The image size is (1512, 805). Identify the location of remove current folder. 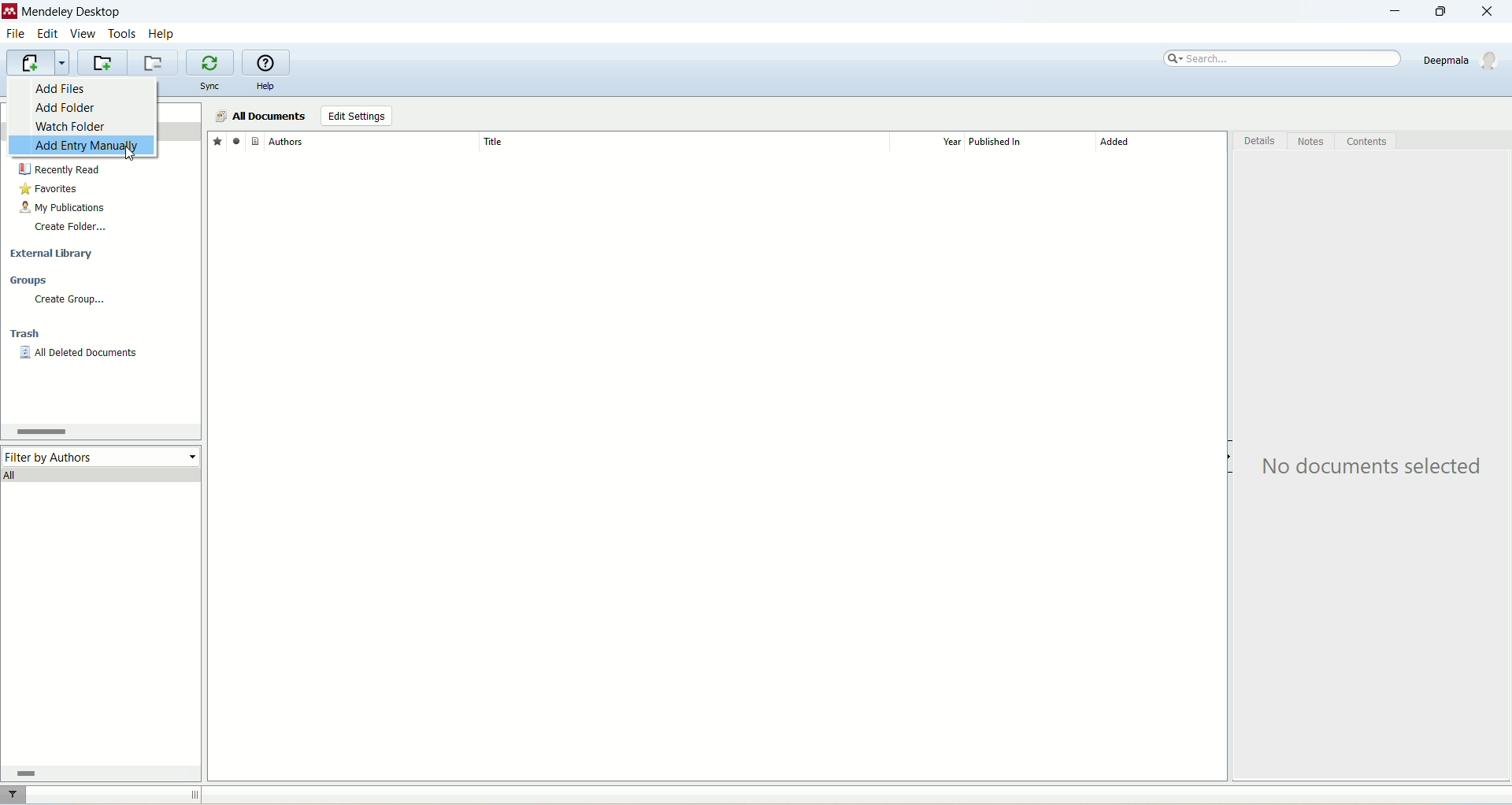
(155, 62).